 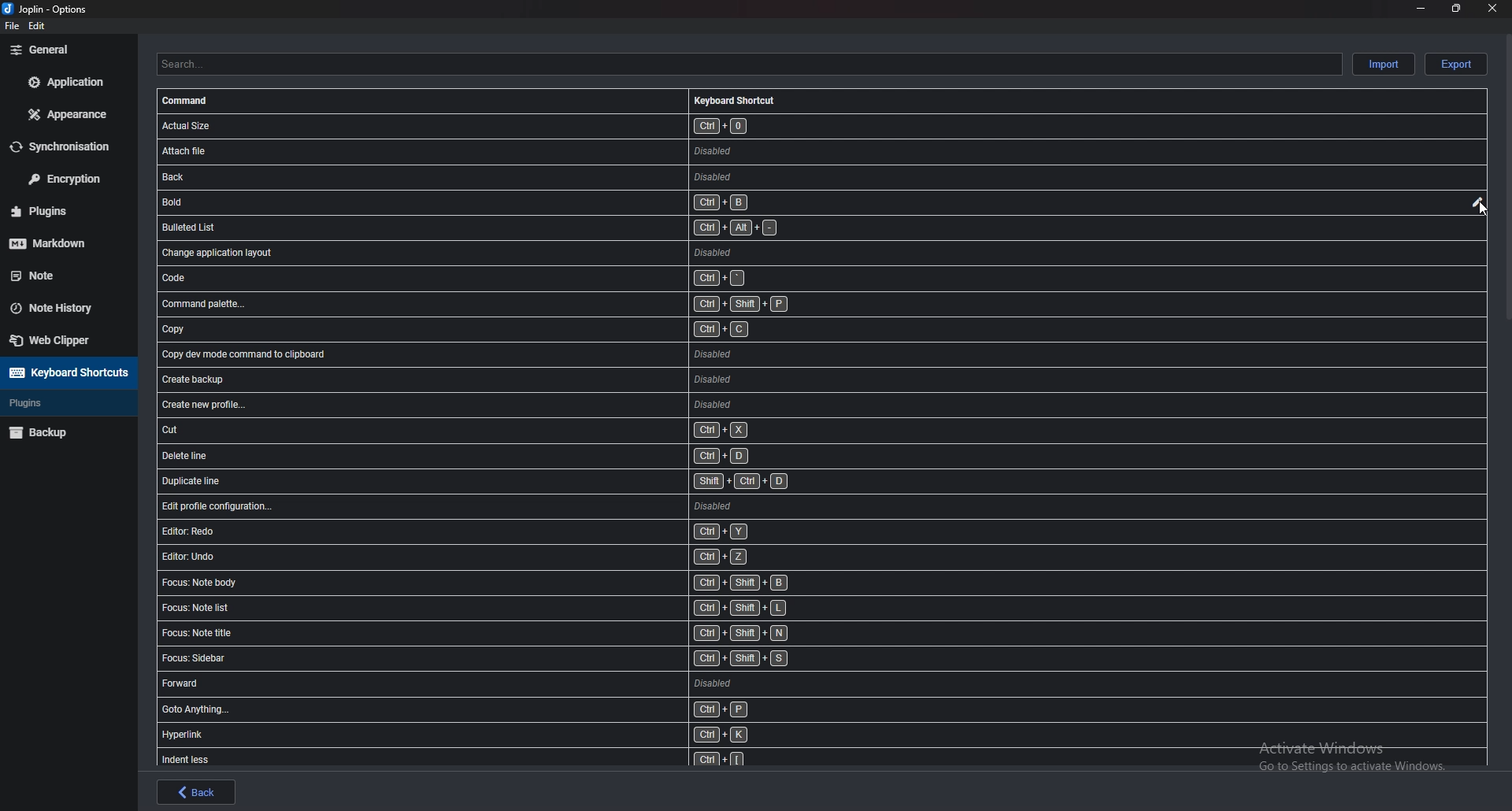 I want to click on Web Clipper, so click(x=66, y=340).